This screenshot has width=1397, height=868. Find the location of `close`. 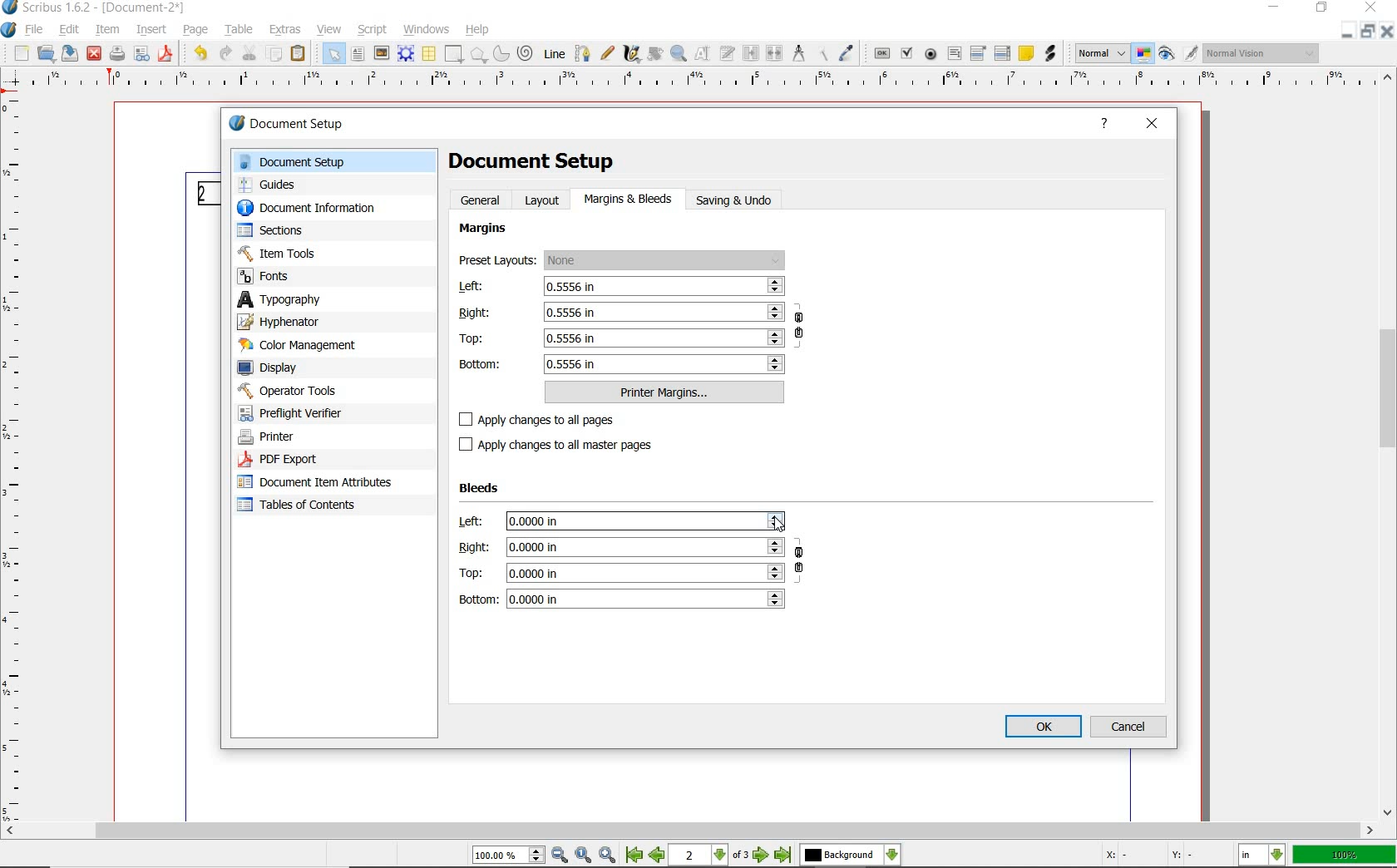

close is located at coordinates (1370, 8).